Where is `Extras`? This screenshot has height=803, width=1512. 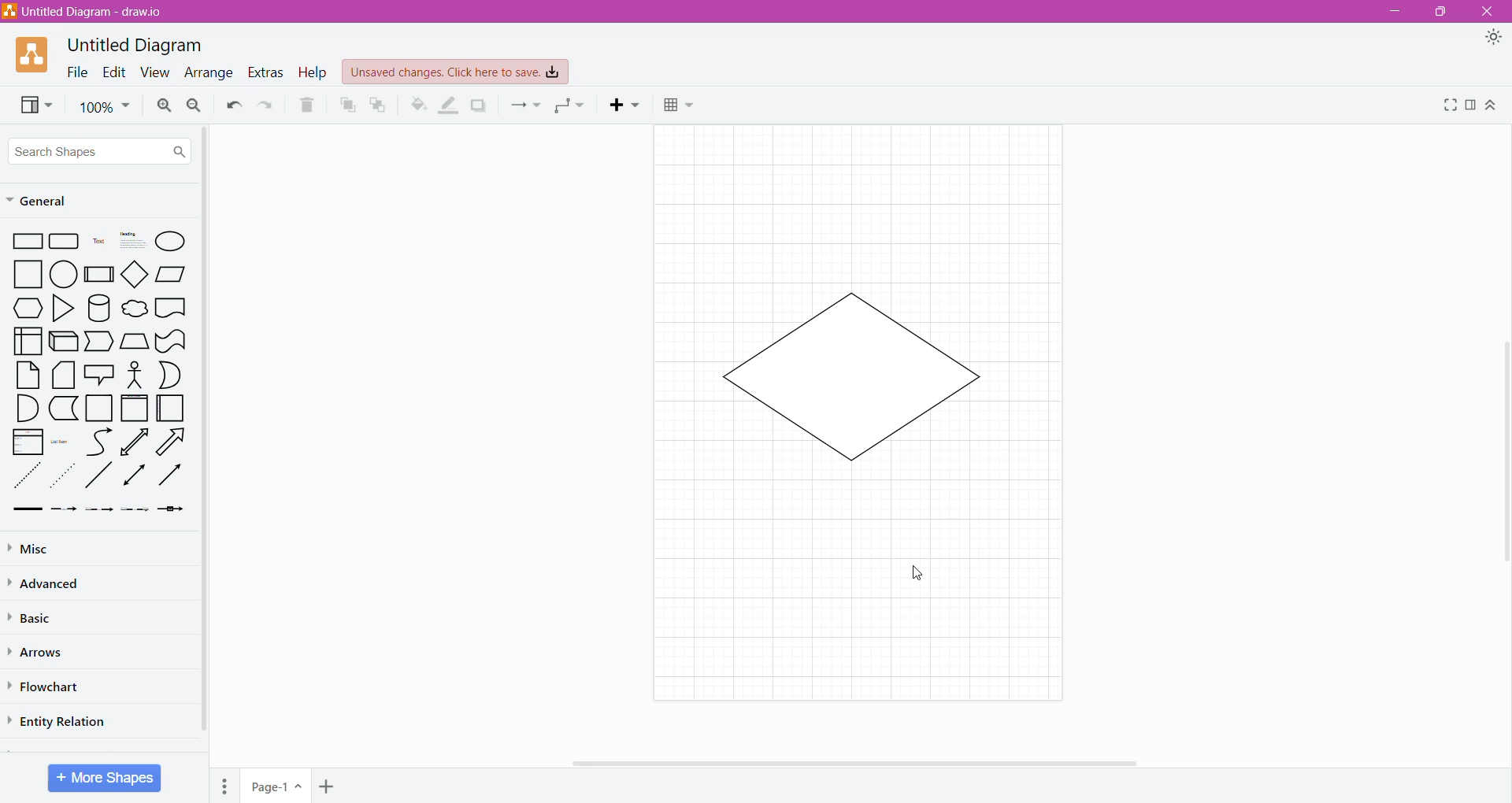 Extras is located at coordinates (265, 72).